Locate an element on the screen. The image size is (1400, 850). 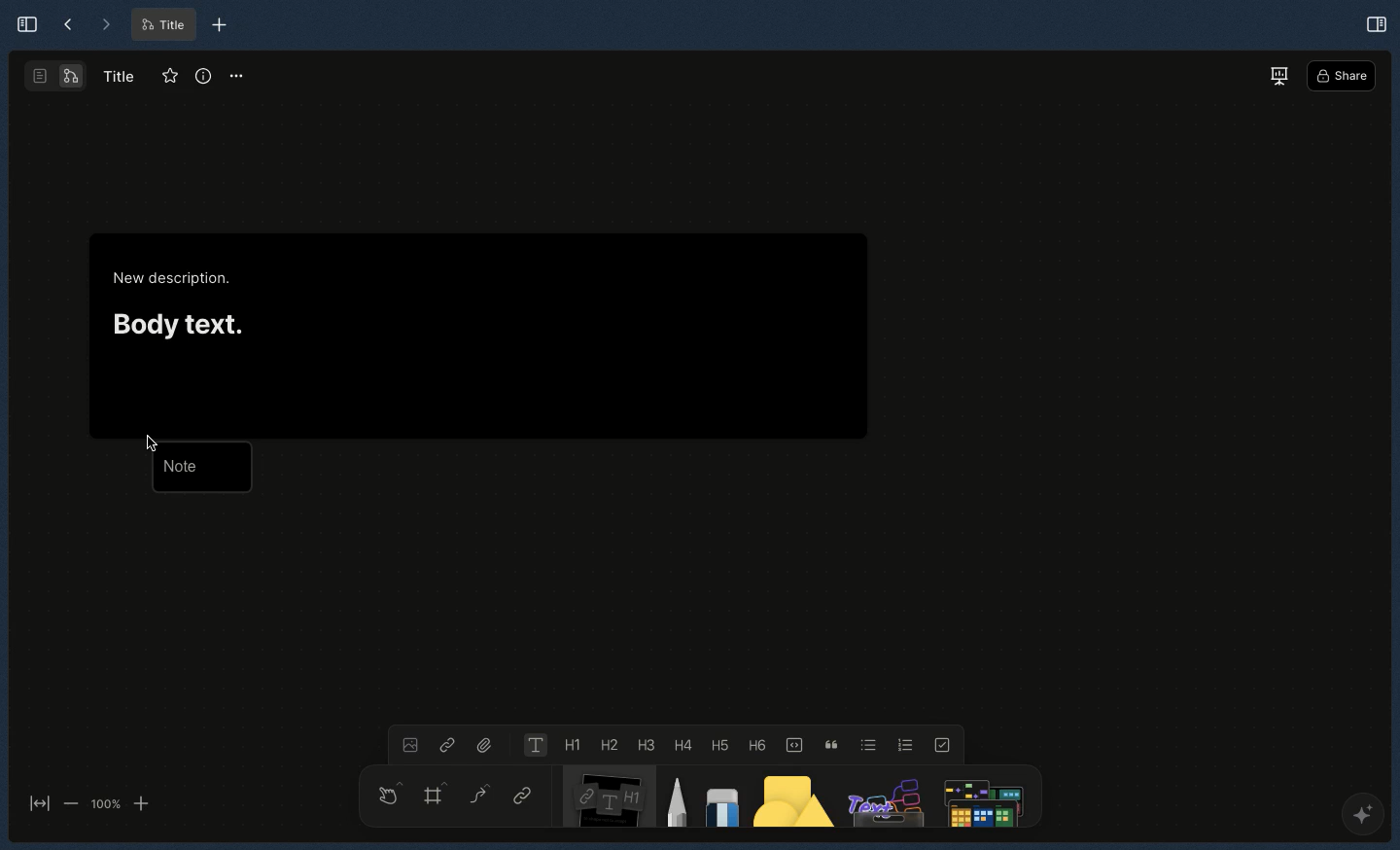
Share is located at coordinates (1342, 77).